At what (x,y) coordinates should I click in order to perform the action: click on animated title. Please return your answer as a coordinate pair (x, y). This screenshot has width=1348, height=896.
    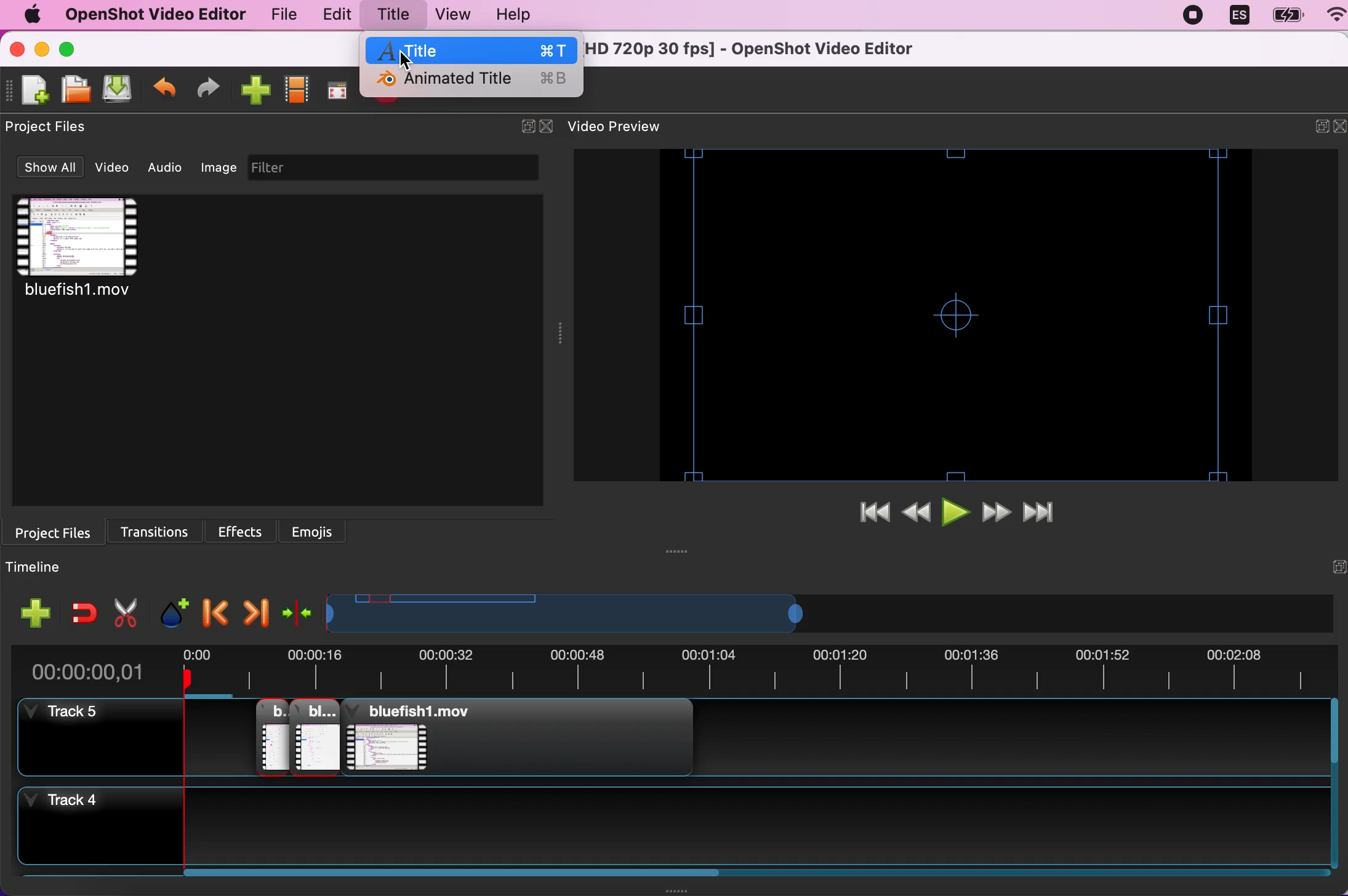
    Looking at the image, I should click on (471, 79).